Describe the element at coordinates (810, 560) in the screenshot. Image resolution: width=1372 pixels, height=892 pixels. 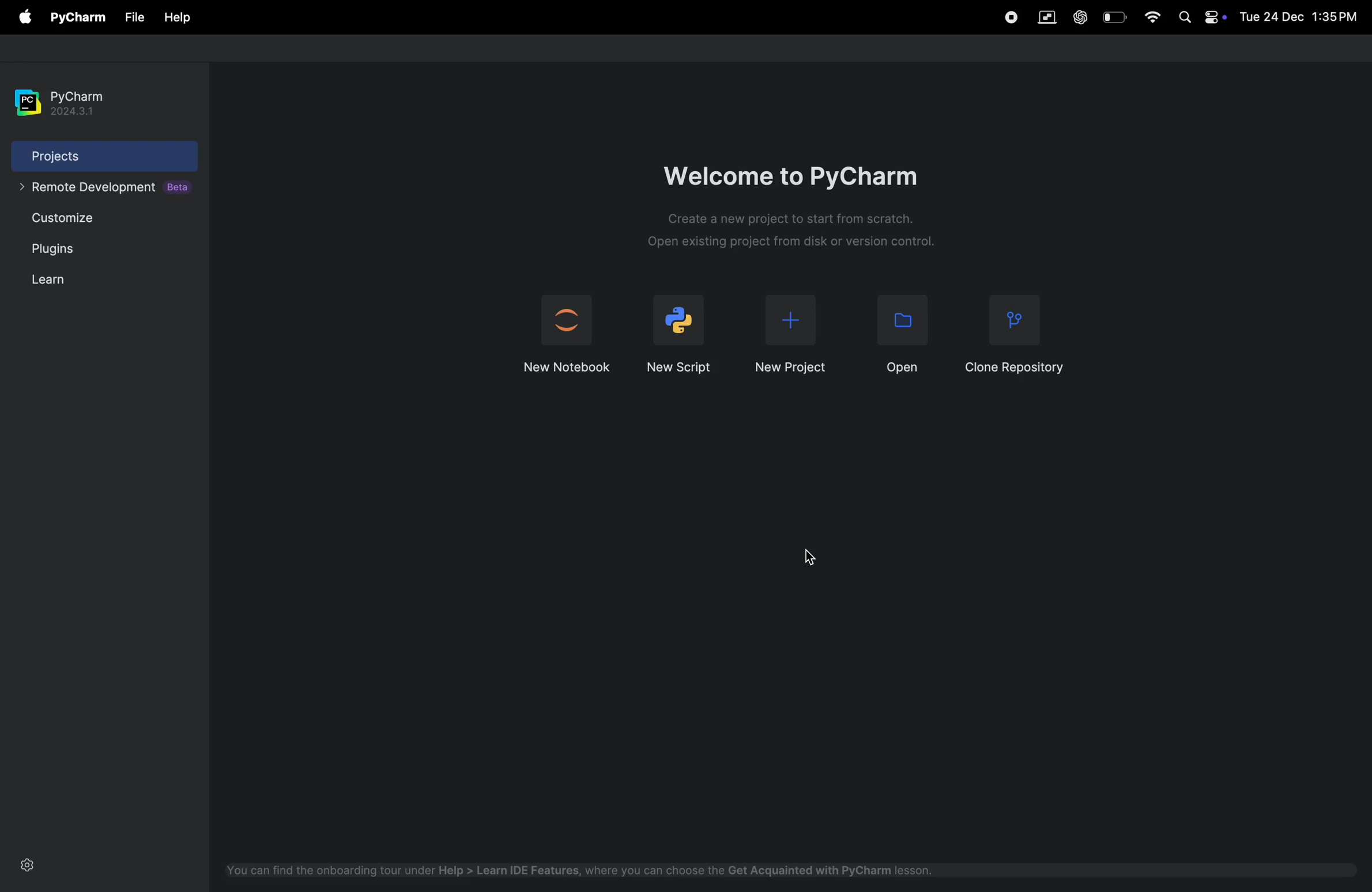
I see `cursor` at that location.